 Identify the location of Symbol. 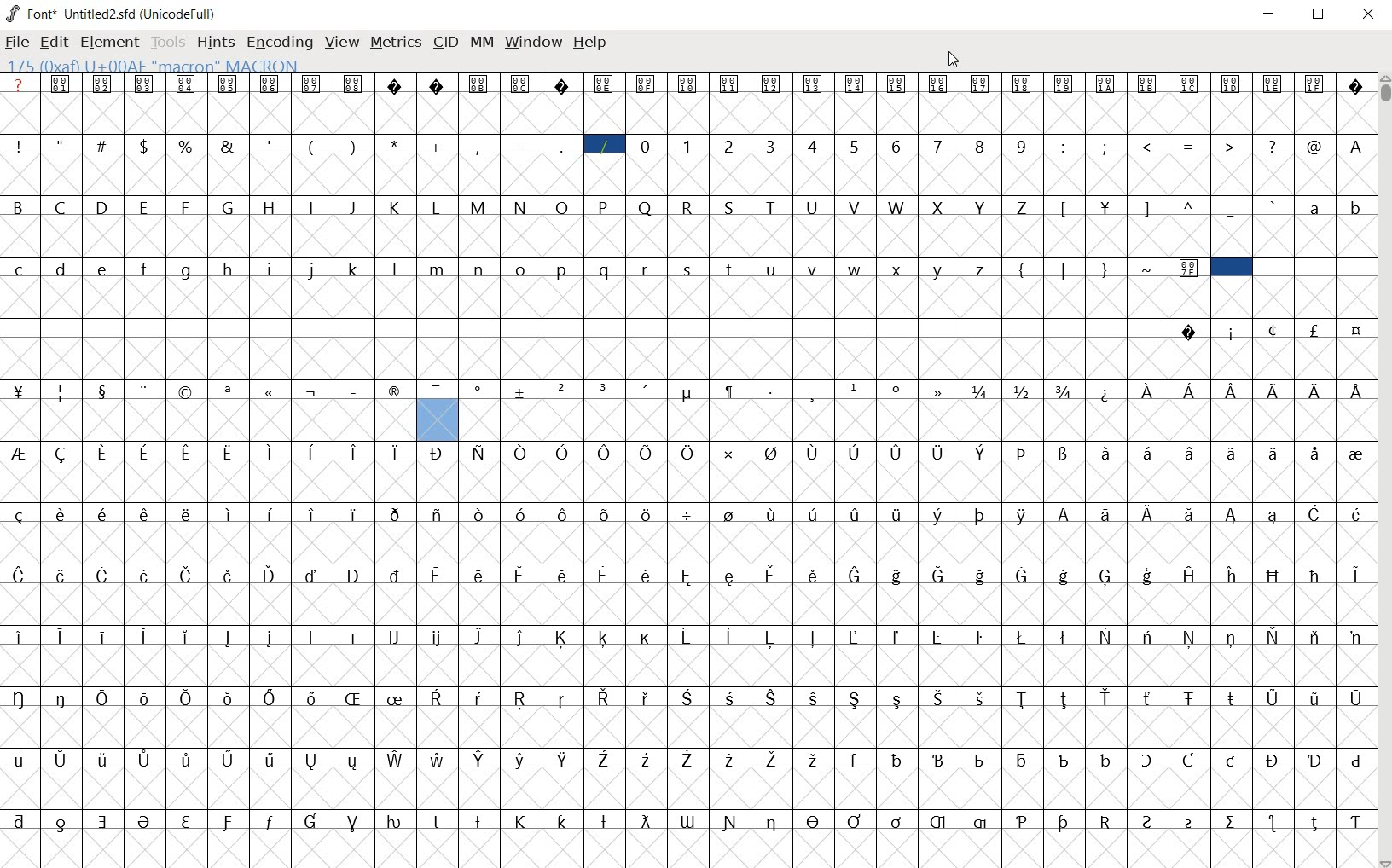
(562, 390).